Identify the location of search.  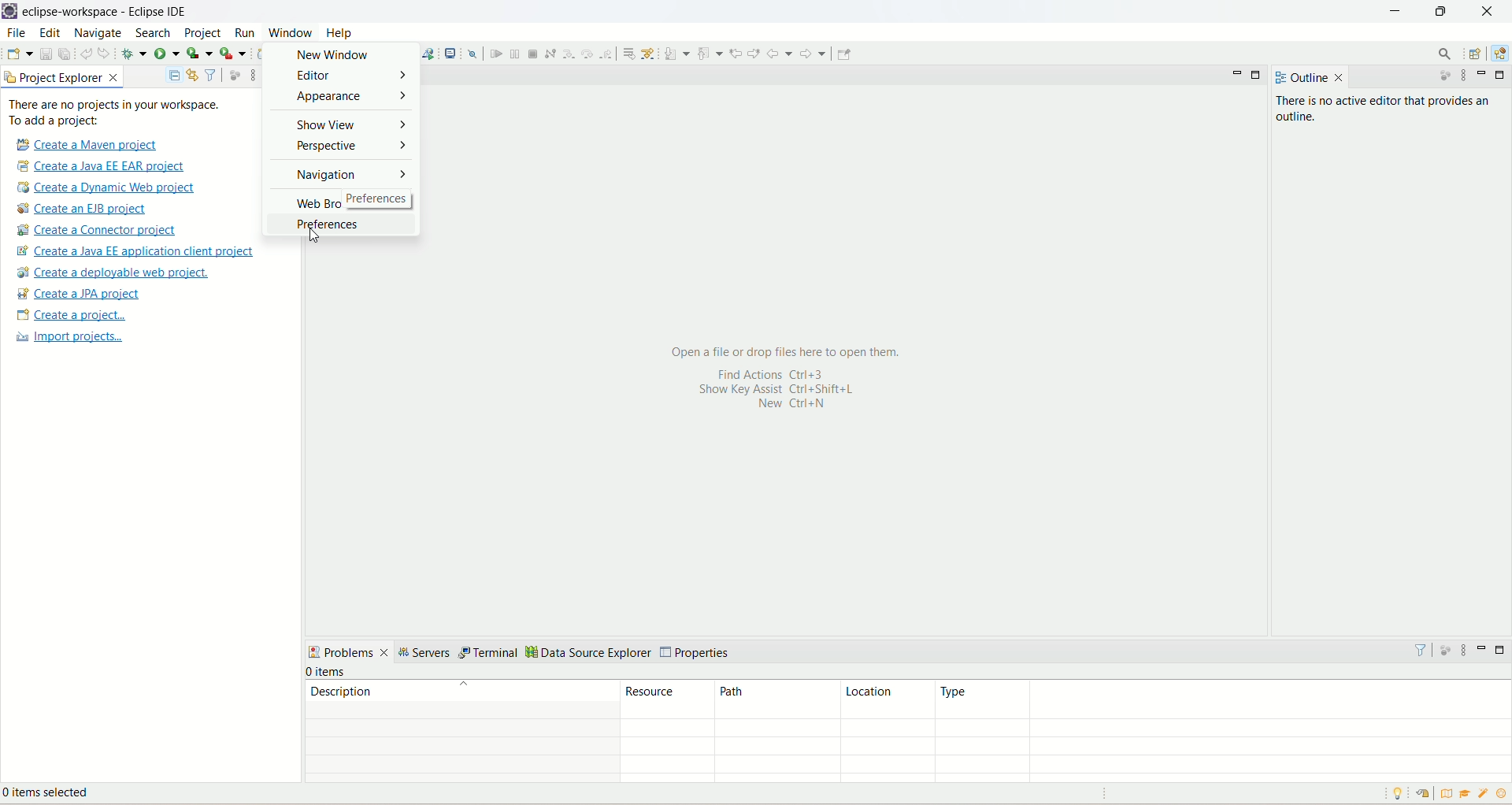
(155, 34).